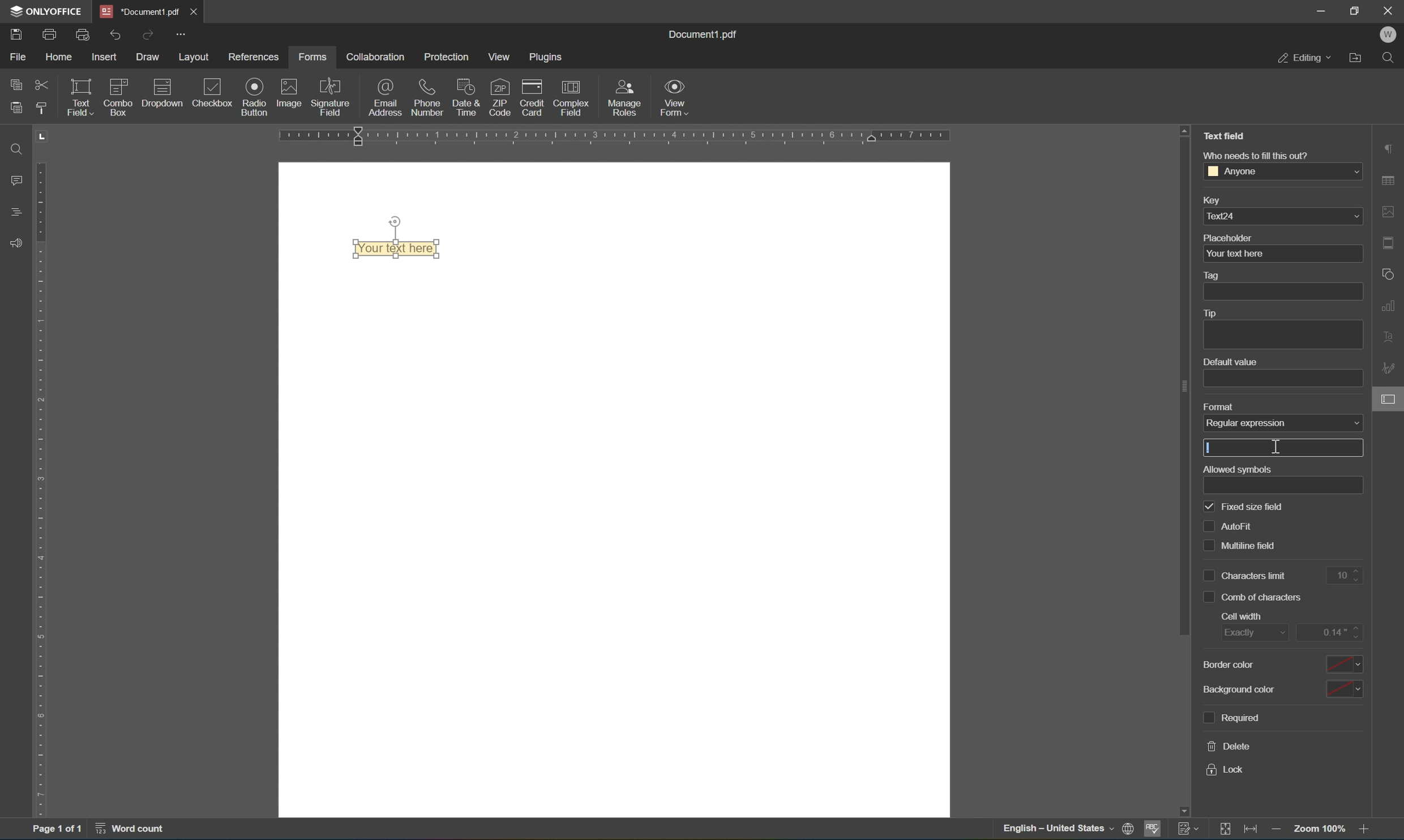  I want to click on editing, so click(1304, 57).